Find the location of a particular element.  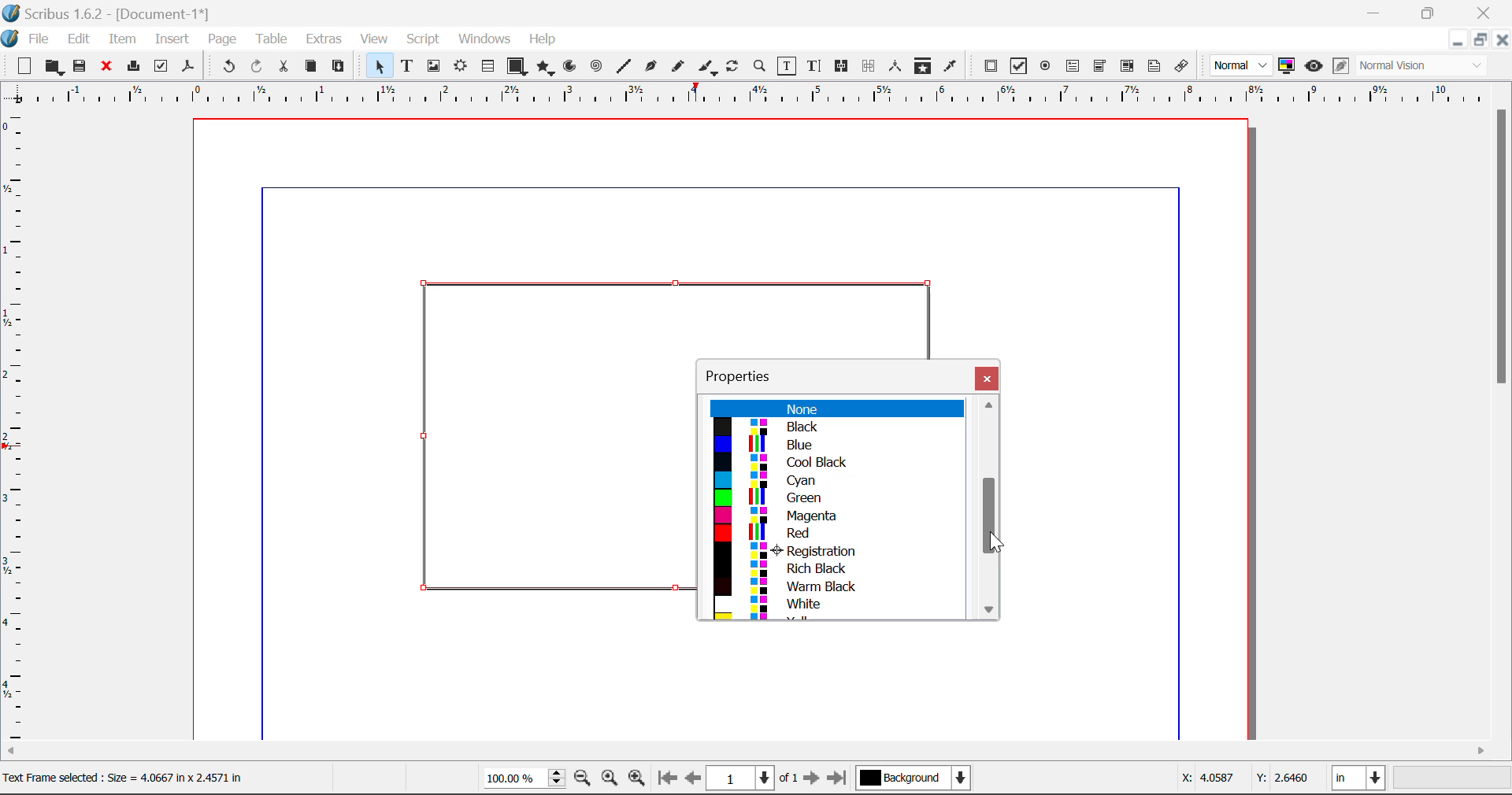

Zoom to 100% is located at coordinates (610, 780).